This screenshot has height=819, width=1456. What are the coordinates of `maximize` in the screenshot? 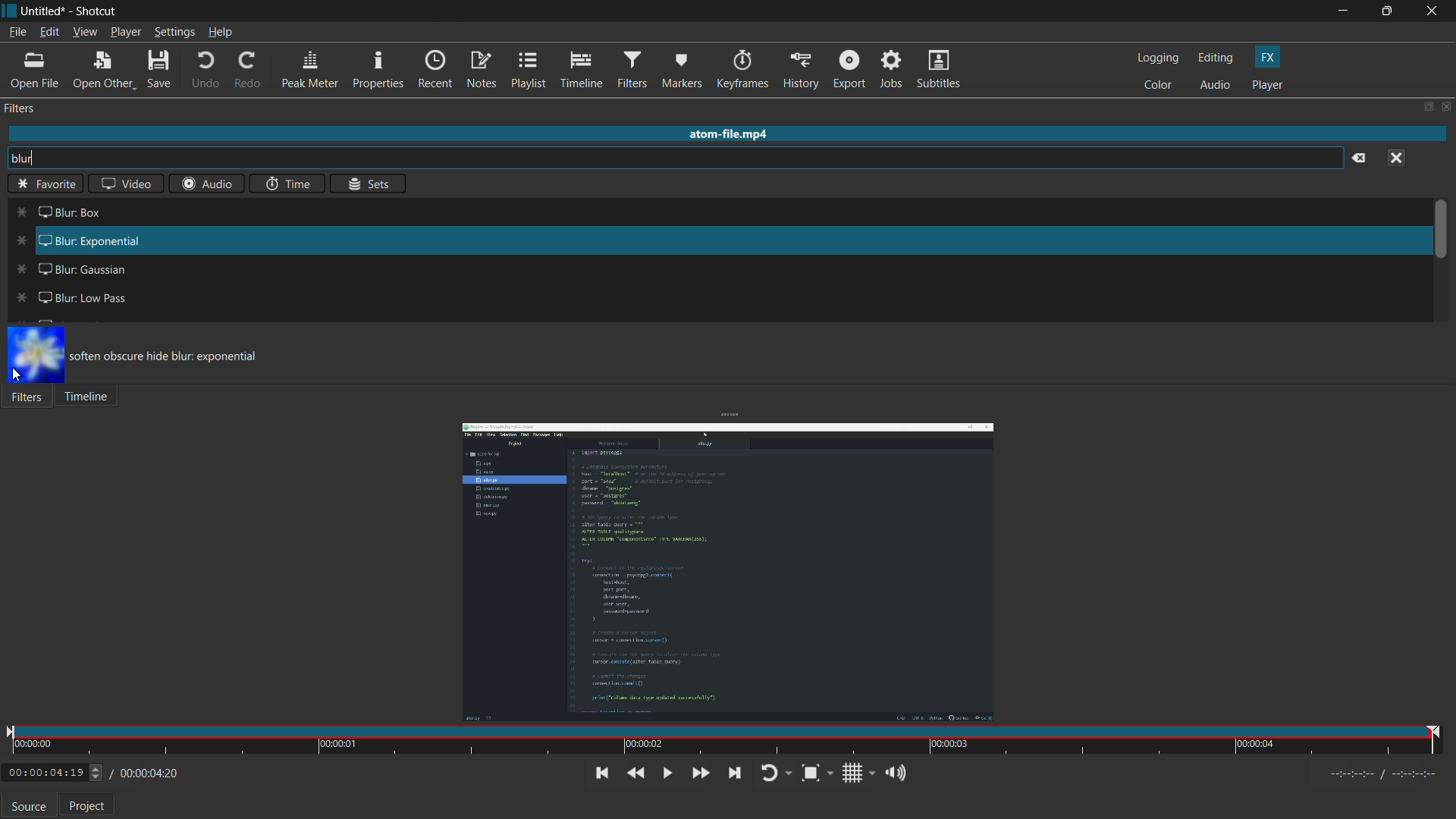 It's located at (1390, 11).